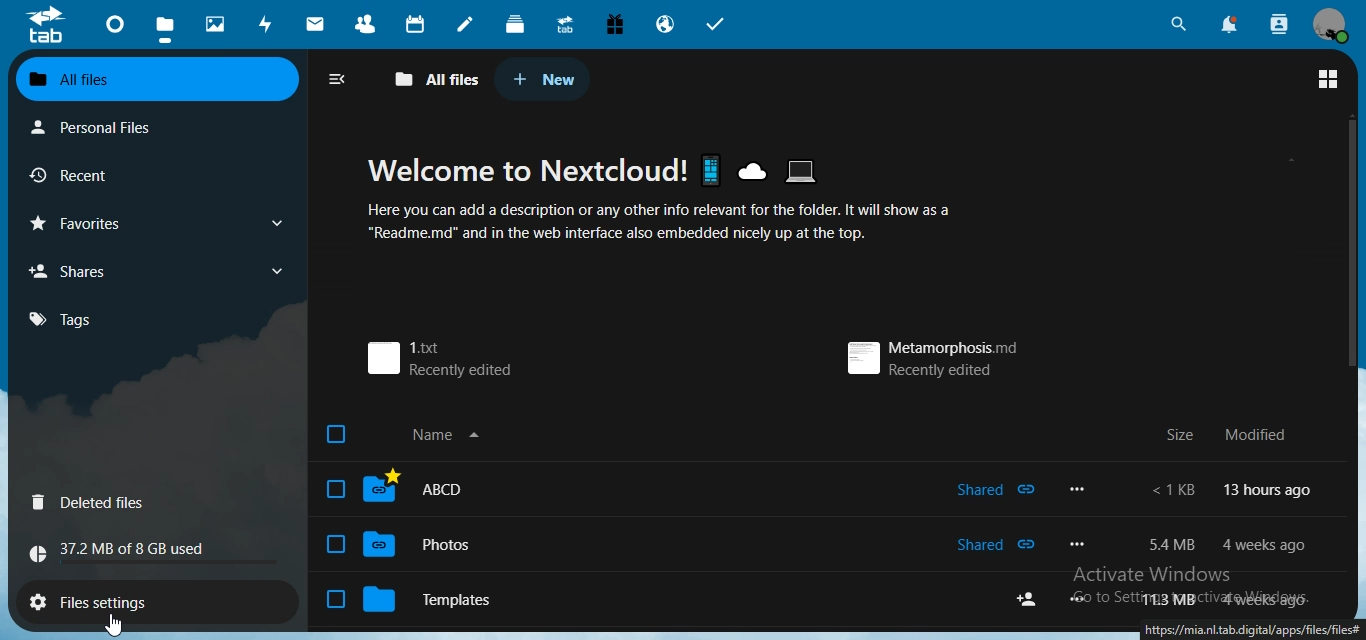 The width and height of the screenshot is (1366, 640). What do you see at coordinates (662, 169) in the screenshot?
I see `welcome to next cloud!` at bounding box center [662, 169].